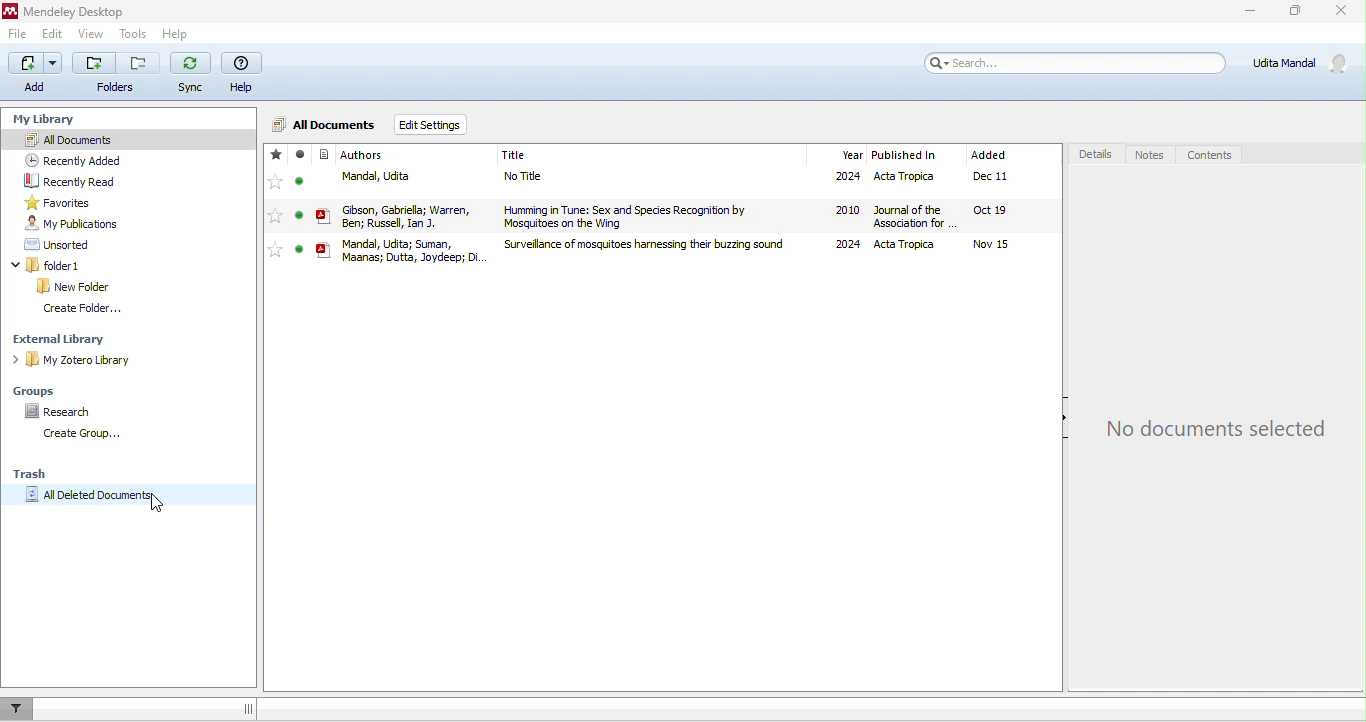 This screenshot has width=1366, height=722. I want to click on file , so click(20, 33).